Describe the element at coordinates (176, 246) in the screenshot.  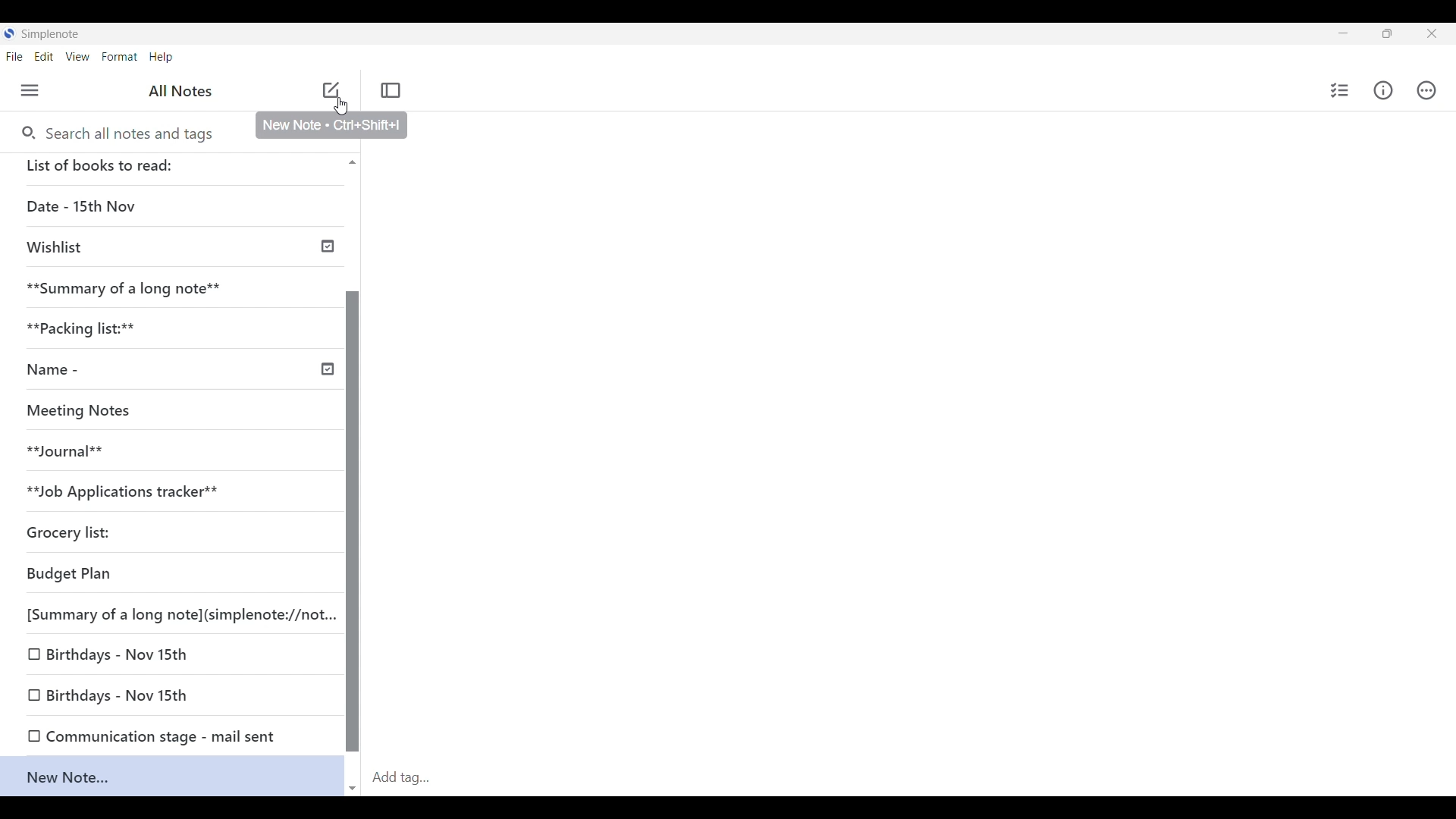
I see `Wishlist` at that location.